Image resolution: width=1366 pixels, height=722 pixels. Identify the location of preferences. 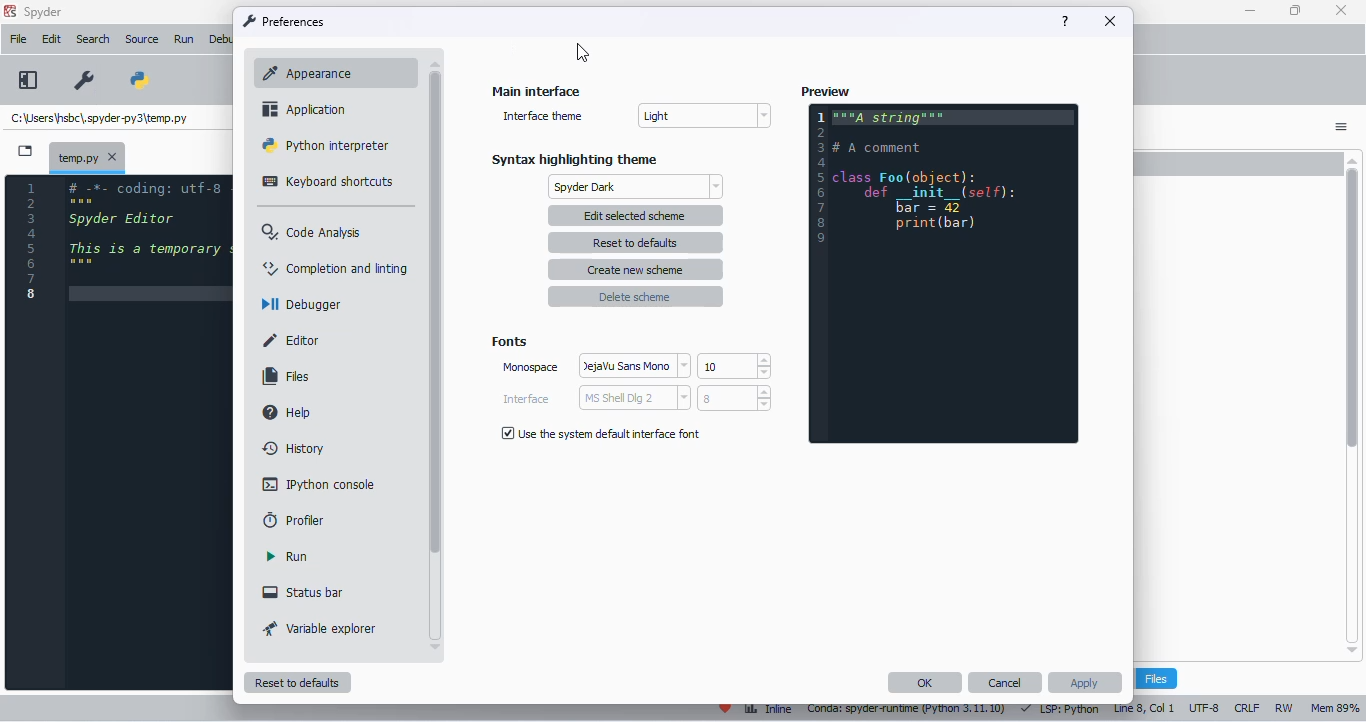
(285, 21).